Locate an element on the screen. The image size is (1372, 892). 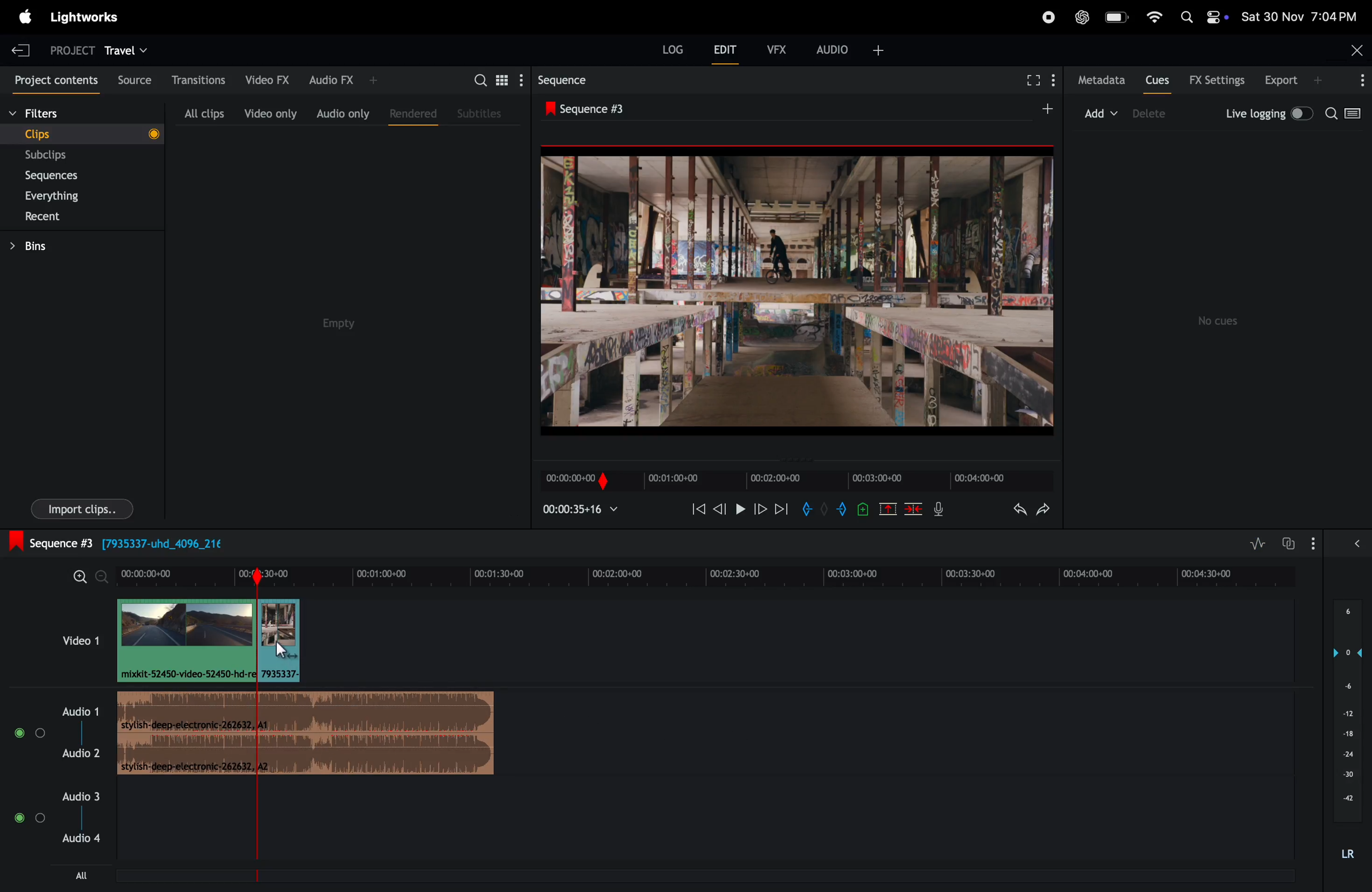
clips is located at coordinates (80, 133).